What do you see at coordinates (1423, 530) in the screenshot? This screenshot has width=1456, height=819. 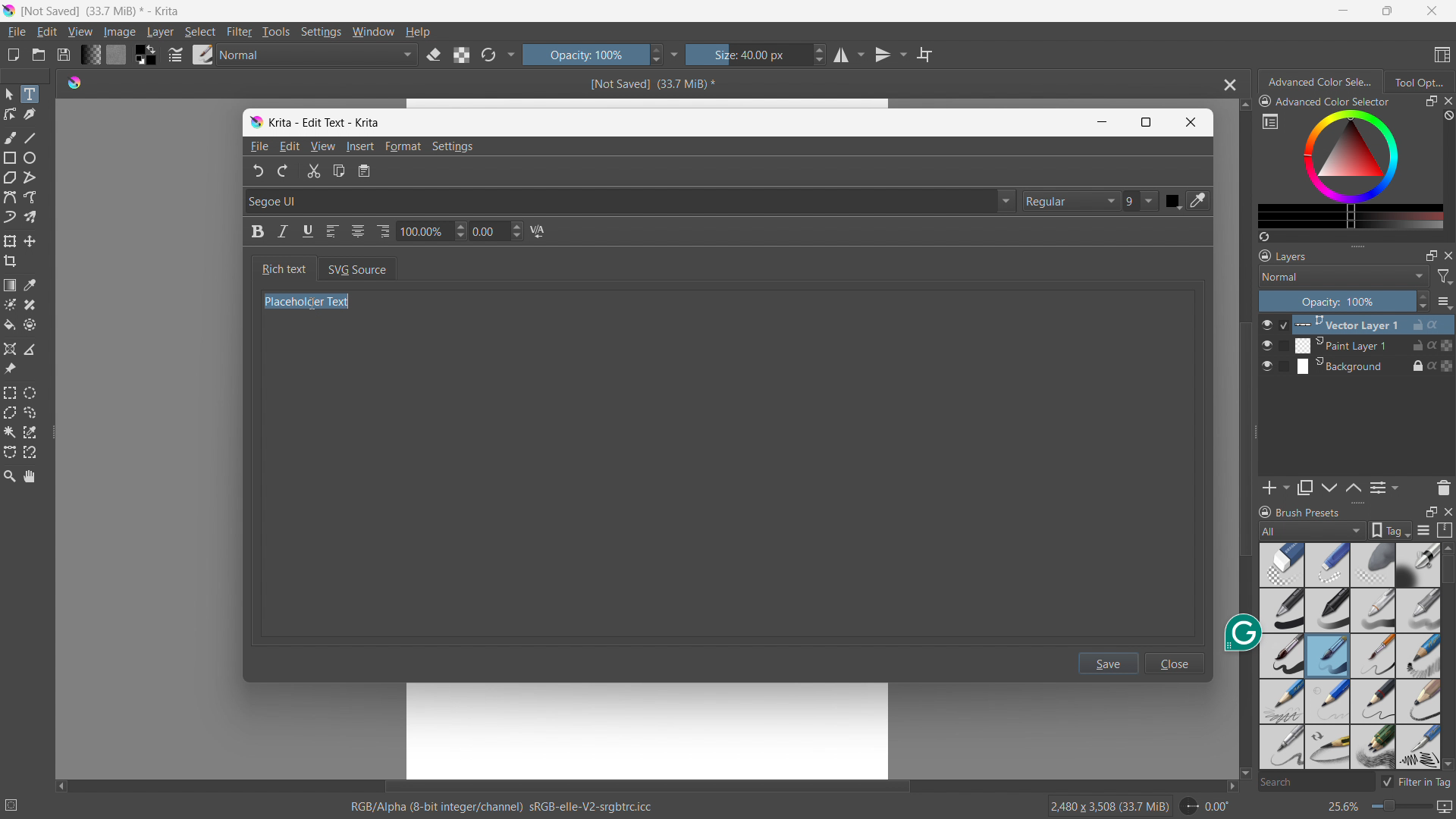 I see `display settings` at bounding box center [1423, 530].